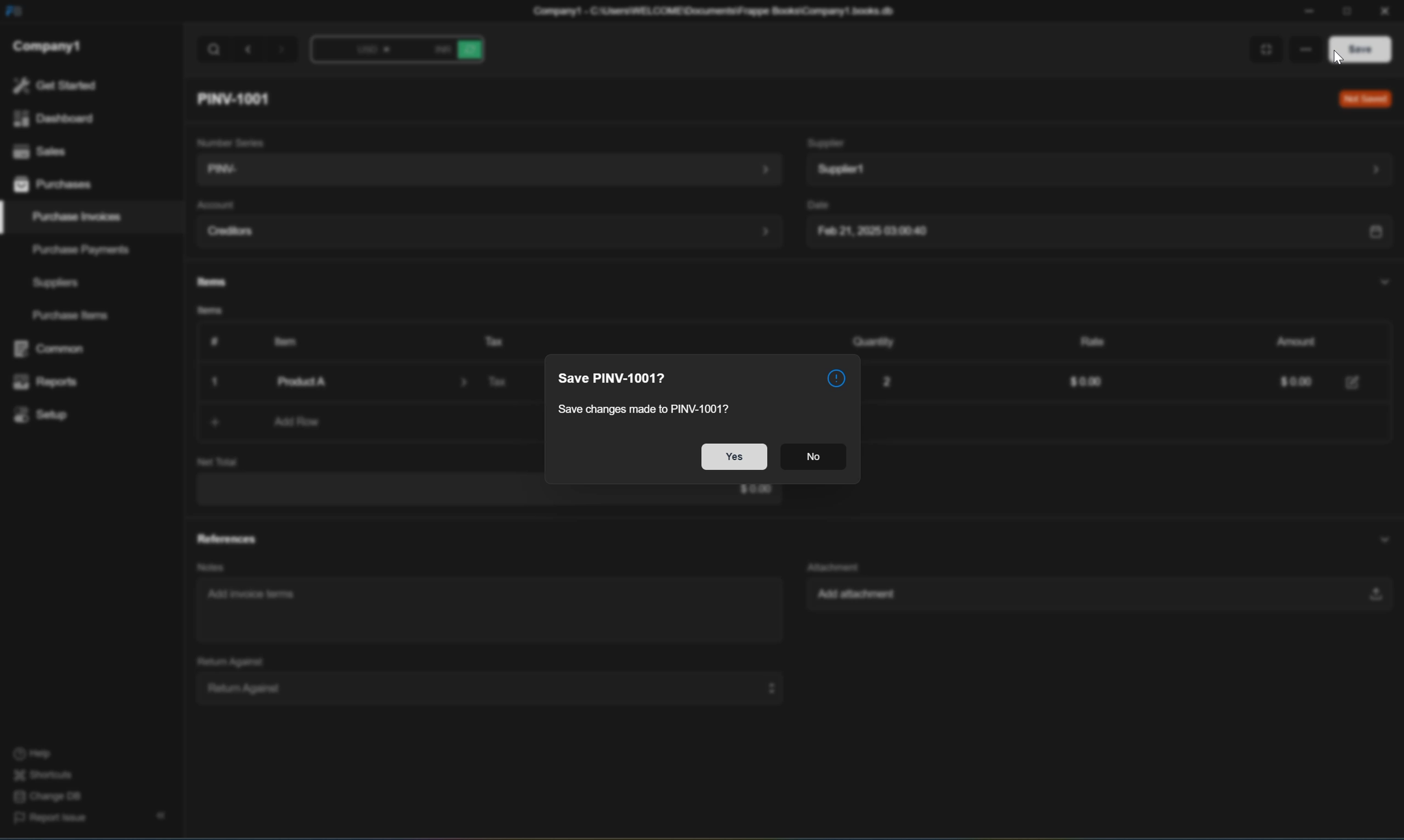 The width and height of the screenshot is (1404, 840). What do you see at coordinates (299, 423) in the screenshot?
I see `Add Row` at bounding box center [299, 423].